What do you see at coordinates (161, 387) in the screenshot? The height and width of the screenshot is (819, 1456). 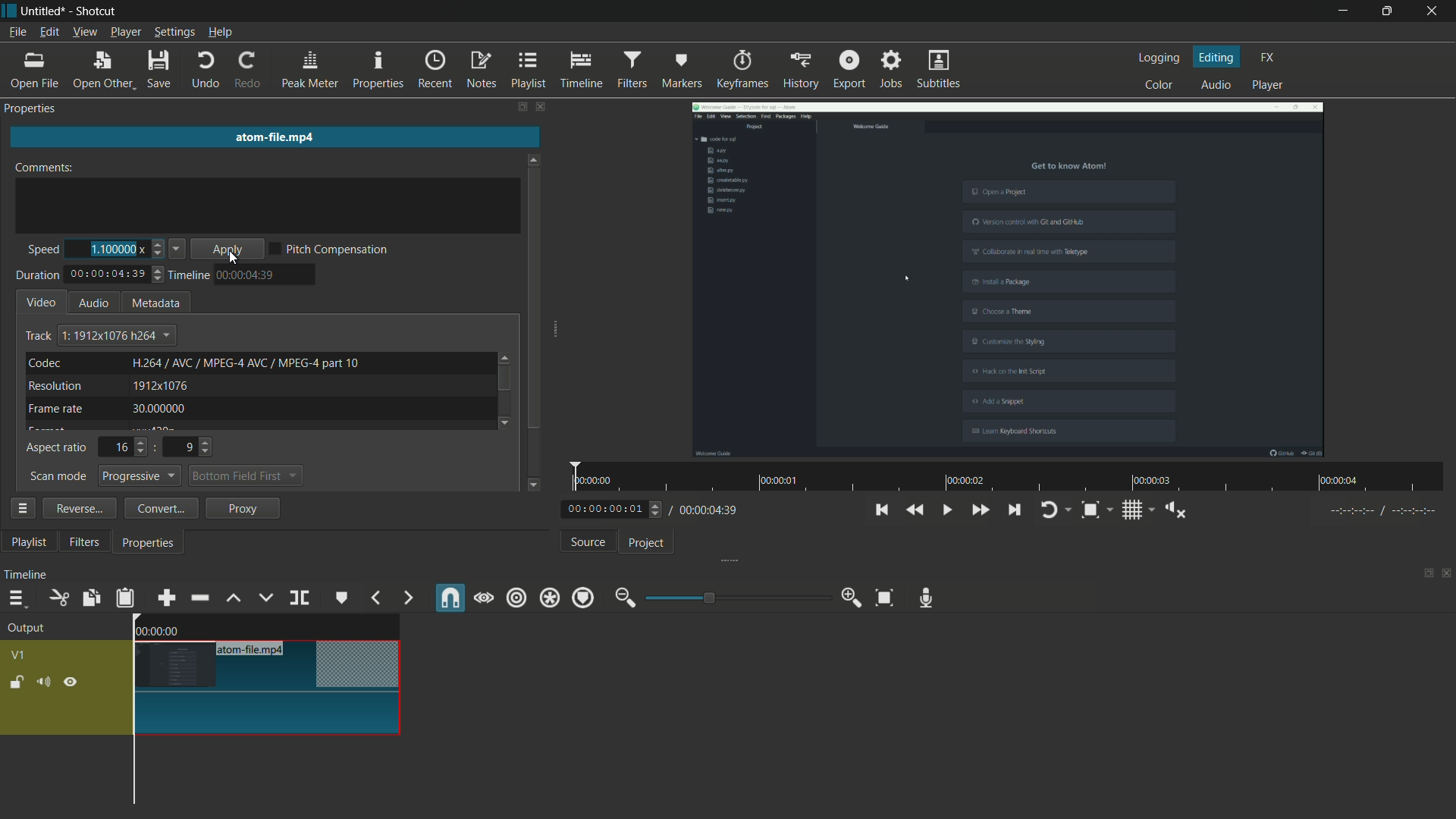 I see `1912x1076` at bounding box center [161, 387].